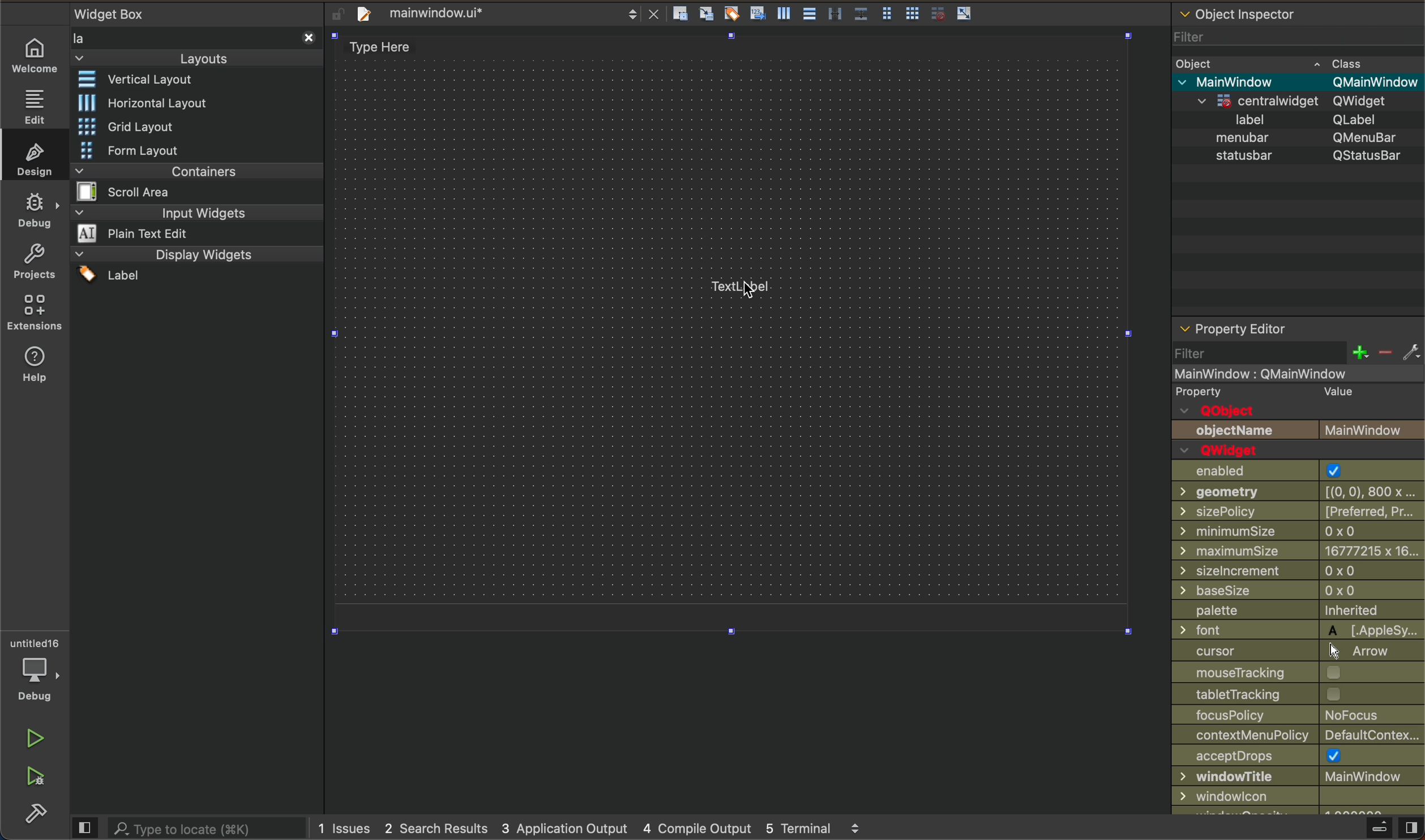  I want to click on type here , so click(396, 46).